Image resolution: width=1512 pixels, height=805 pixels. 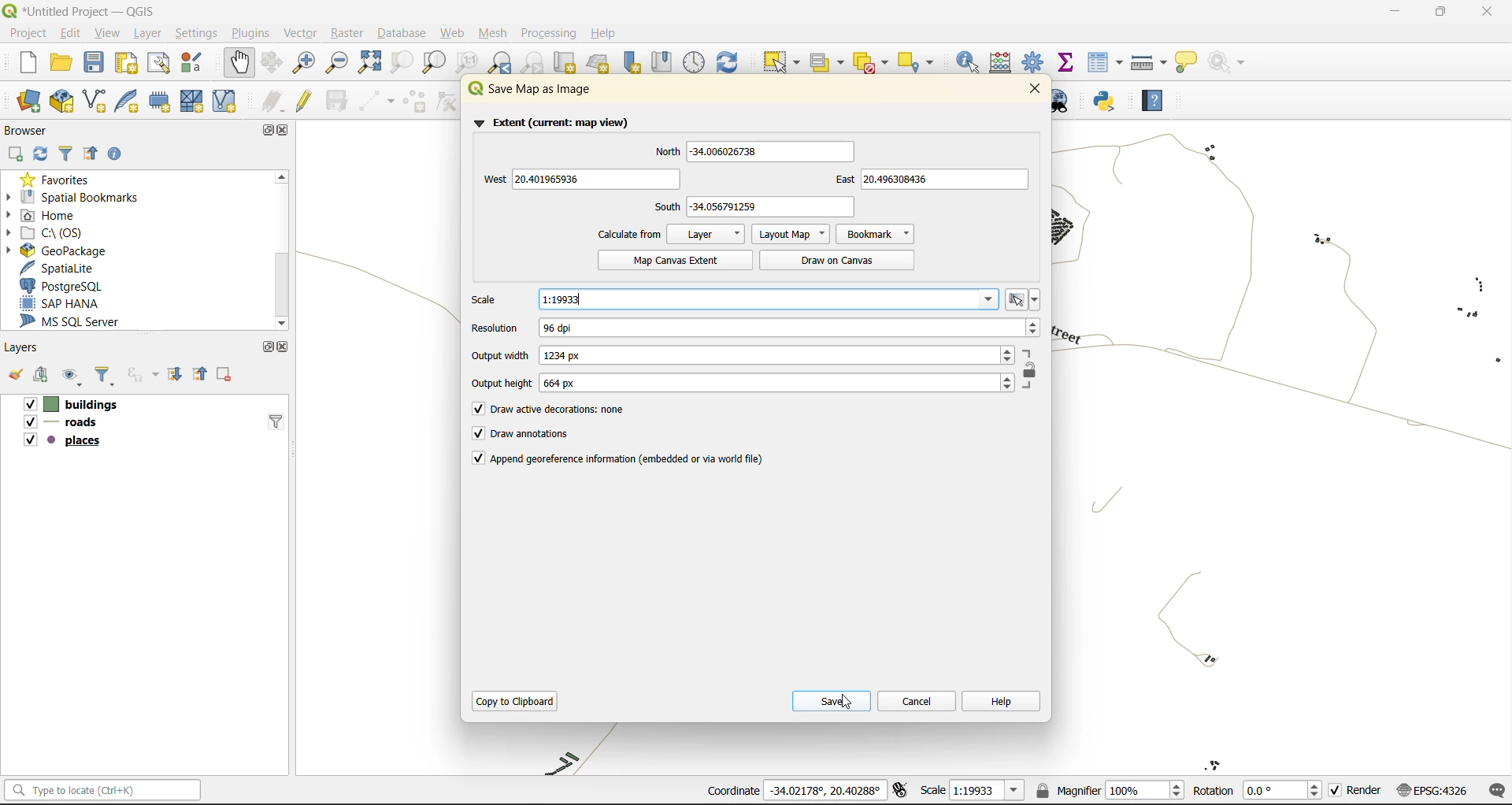 What do you see at coordinates (1191, 61) in the screenshot?
I see `show tips` at bounding box center [1191, 61].